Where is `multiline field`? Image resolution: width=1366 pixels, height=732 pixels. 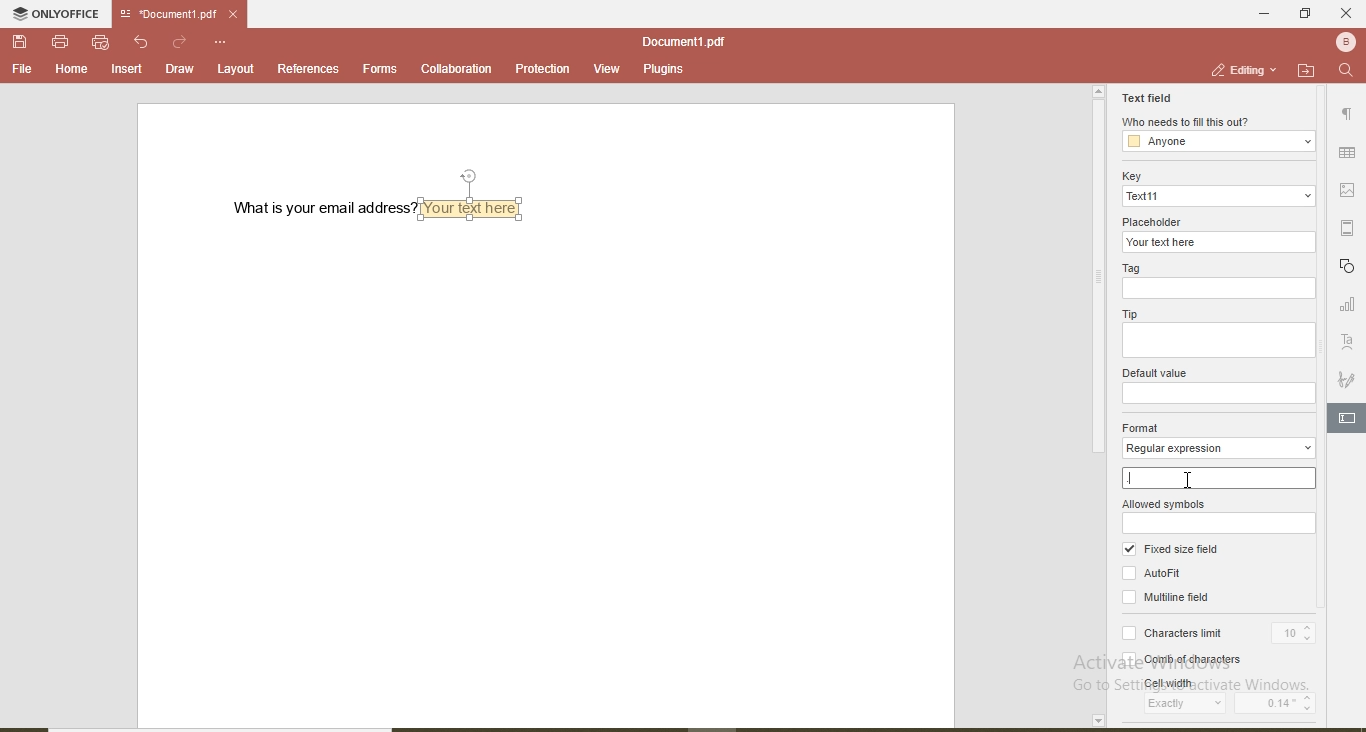 multiline field is located at coordinates (1171, 599).